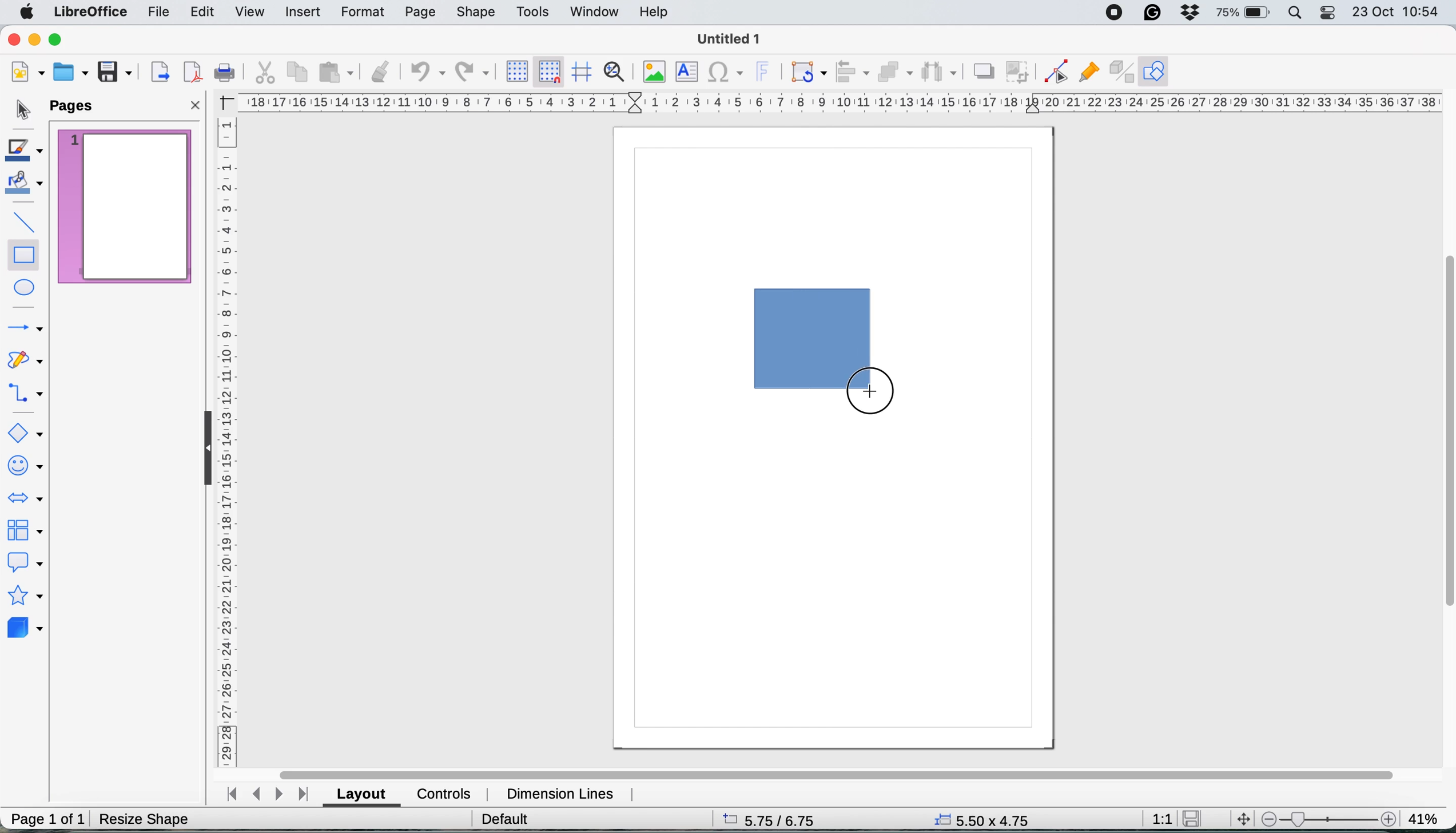  Describe the element at coordinates (34, 38) in the screenshot. I see `minimise` at that location.